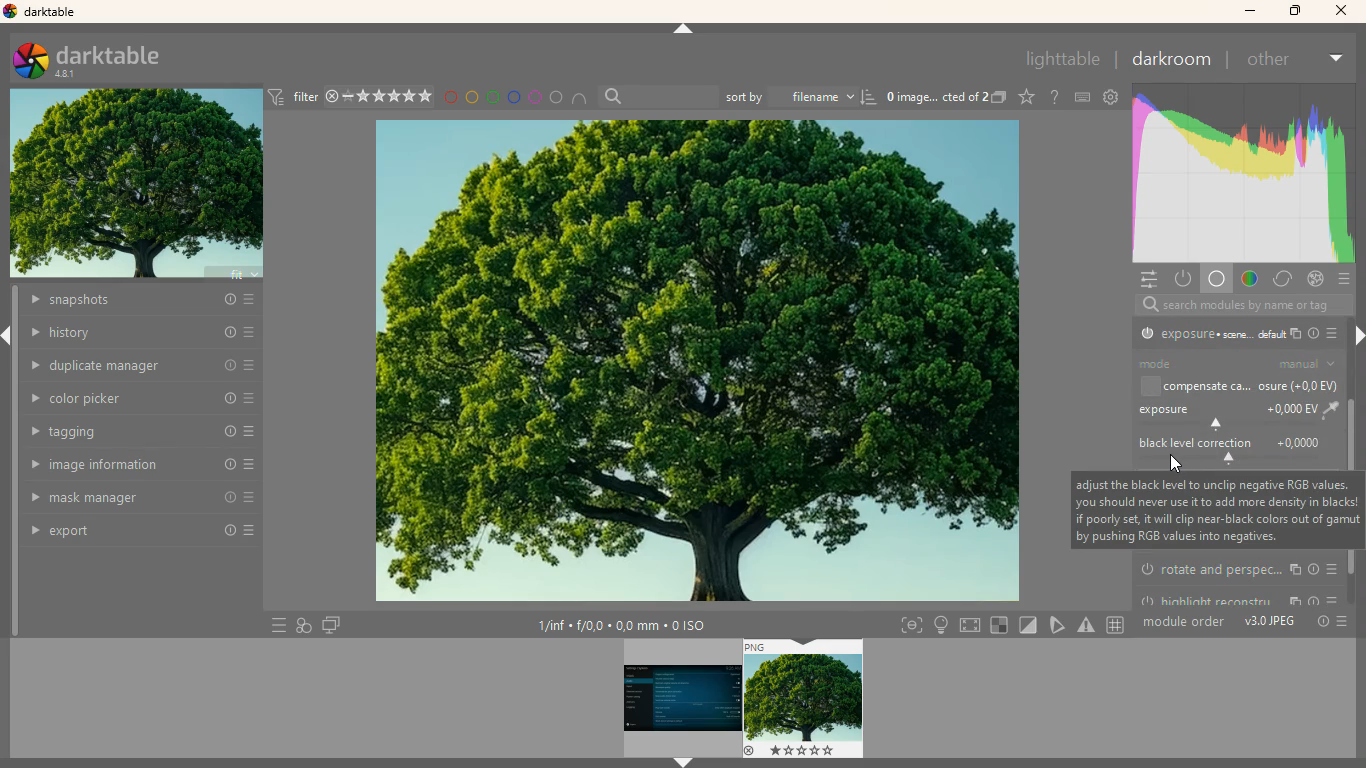 This screenshot has width=1366, height=768. What do you see at coordinates (1340, 59) in the screenshot?
I see `more` at bounding box center [1340, 59].